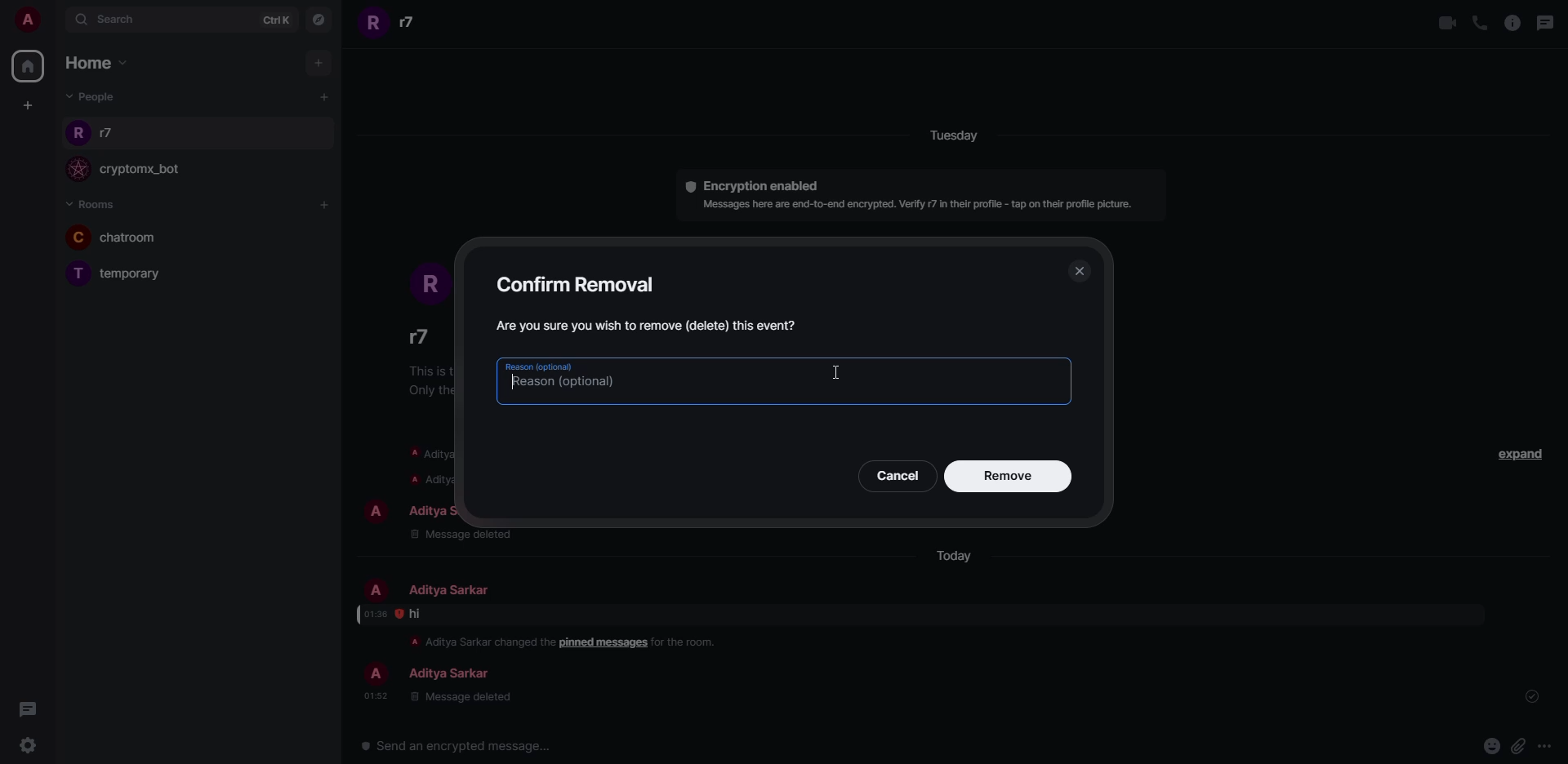 The image size is (1568, 764). Describe the element at coordinates (136, 238) in the screenshot. I see `room` at that location.